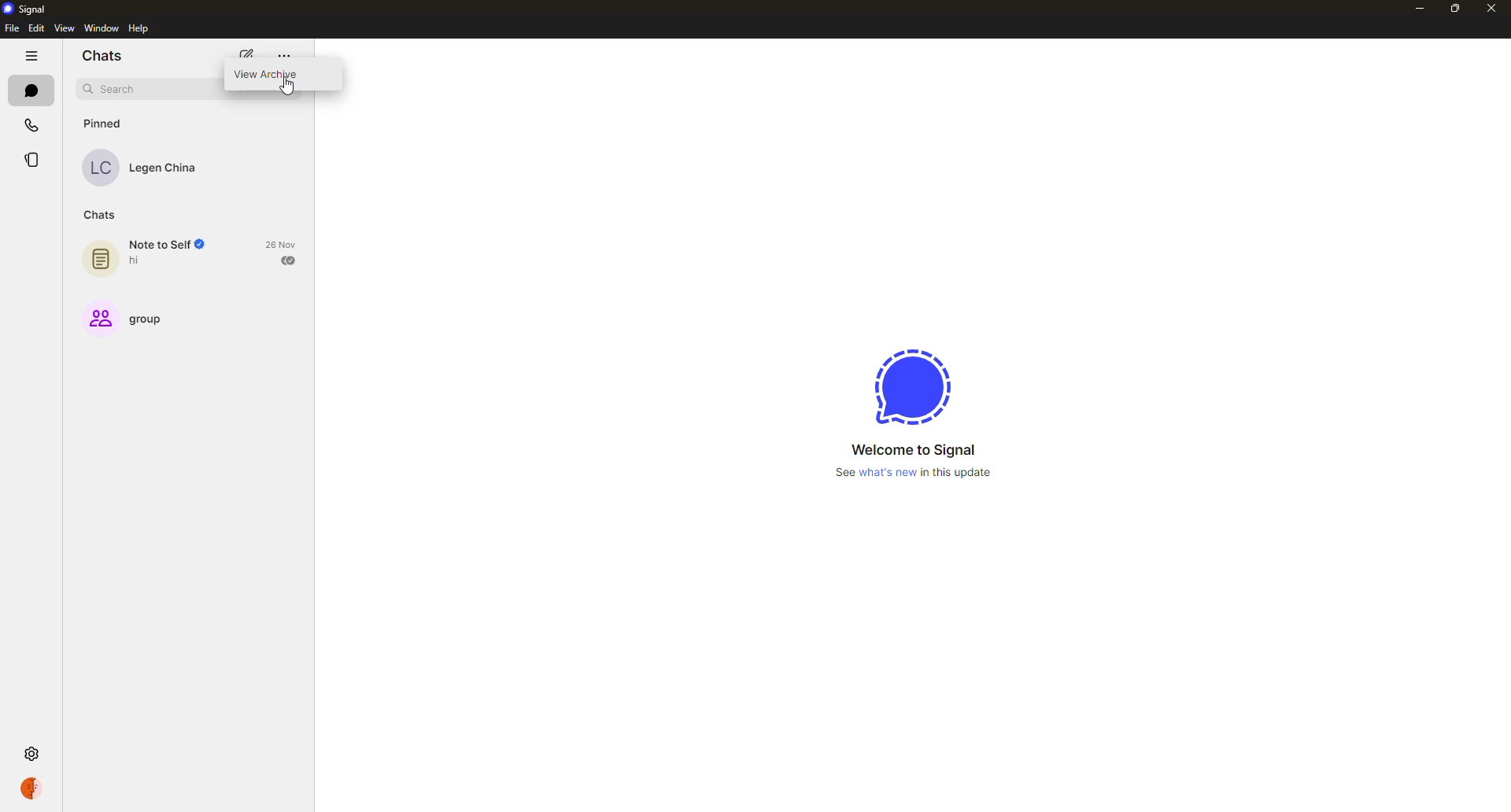  Describe the element at coordinates (31, 788) in the screenshot. I see `profile` at that location.